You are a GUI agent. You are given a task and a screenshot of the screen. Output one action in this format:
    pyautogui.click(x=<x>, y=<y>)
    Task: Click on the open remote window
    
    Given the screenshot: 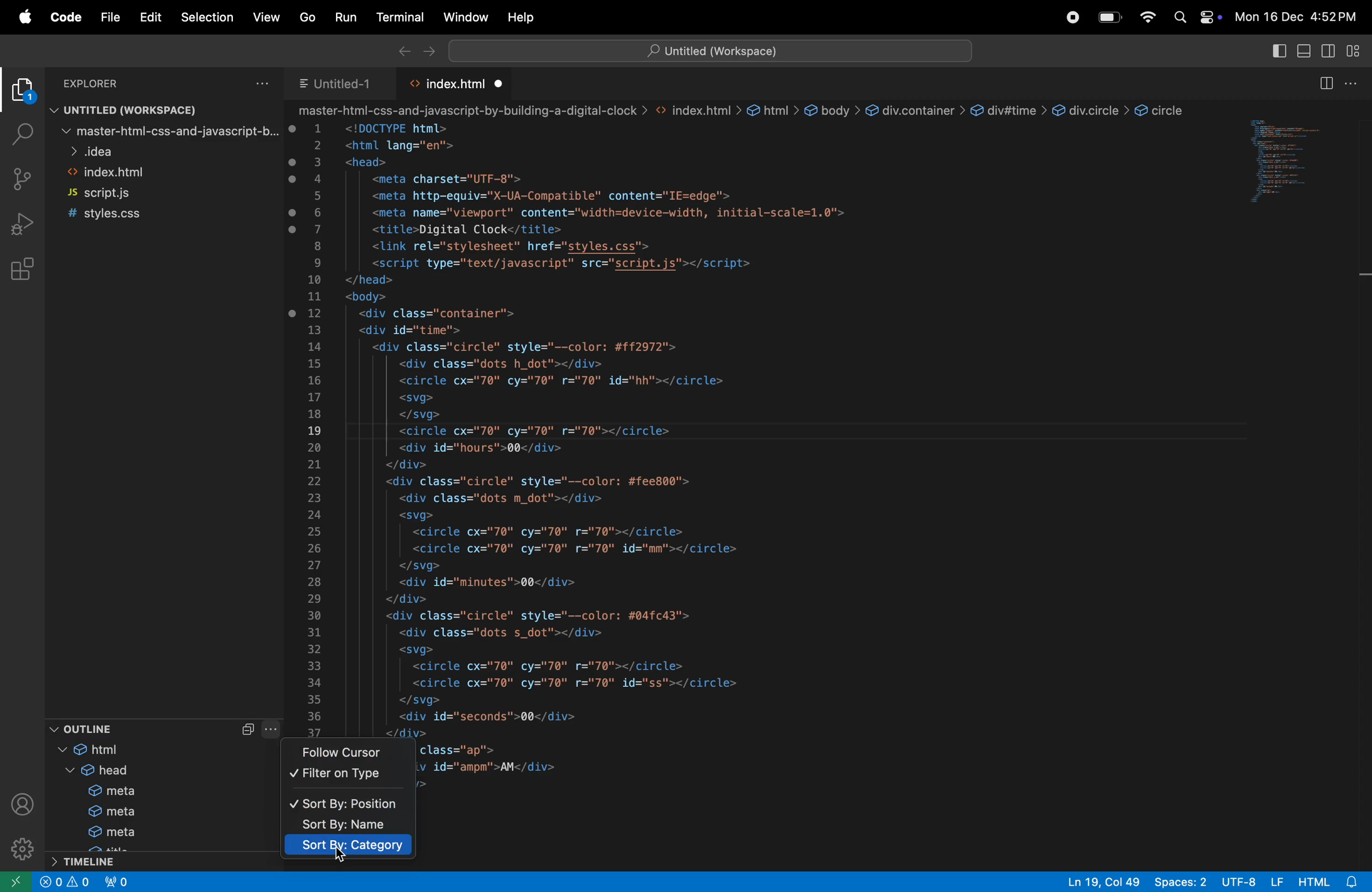 What is the action you would take?
    pyautogui.click(x=19, y=880)
    